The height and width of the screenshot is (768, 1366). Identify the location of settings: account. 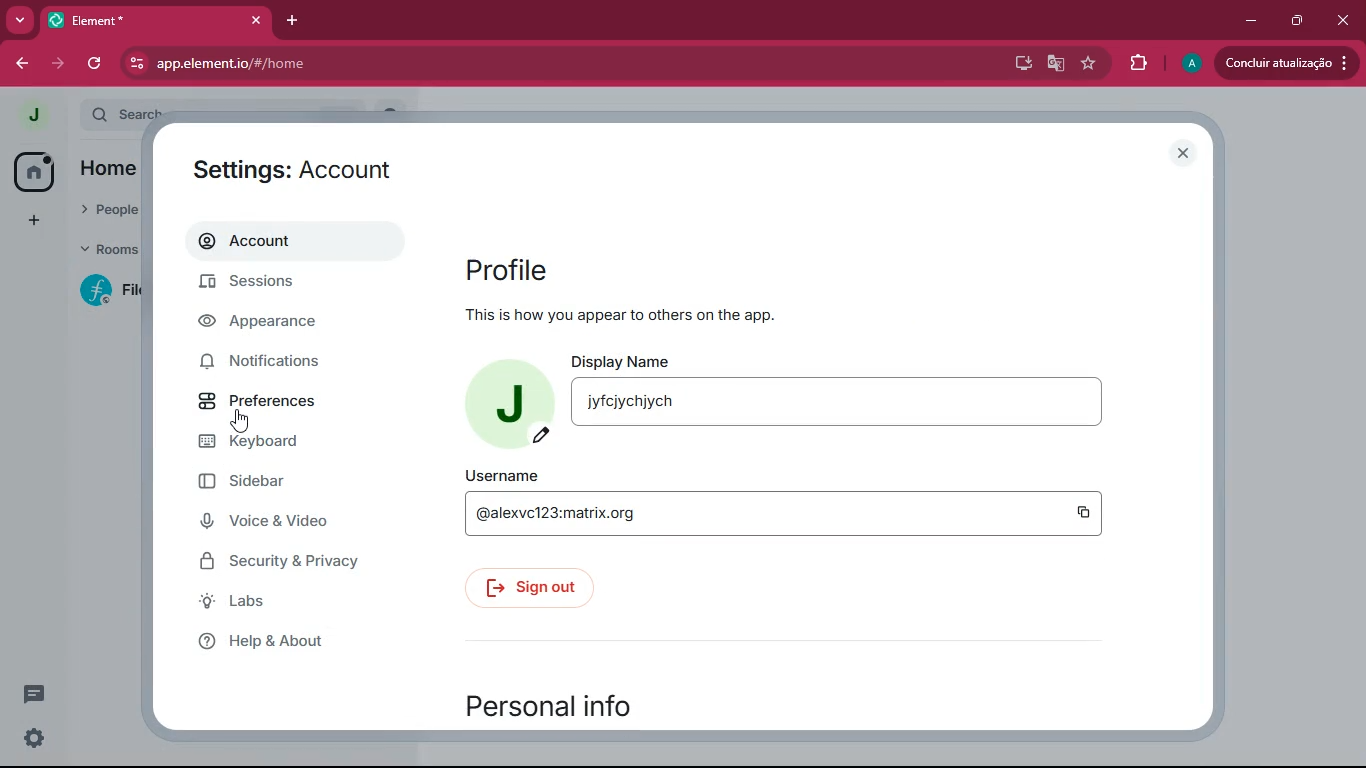
(312, 174).